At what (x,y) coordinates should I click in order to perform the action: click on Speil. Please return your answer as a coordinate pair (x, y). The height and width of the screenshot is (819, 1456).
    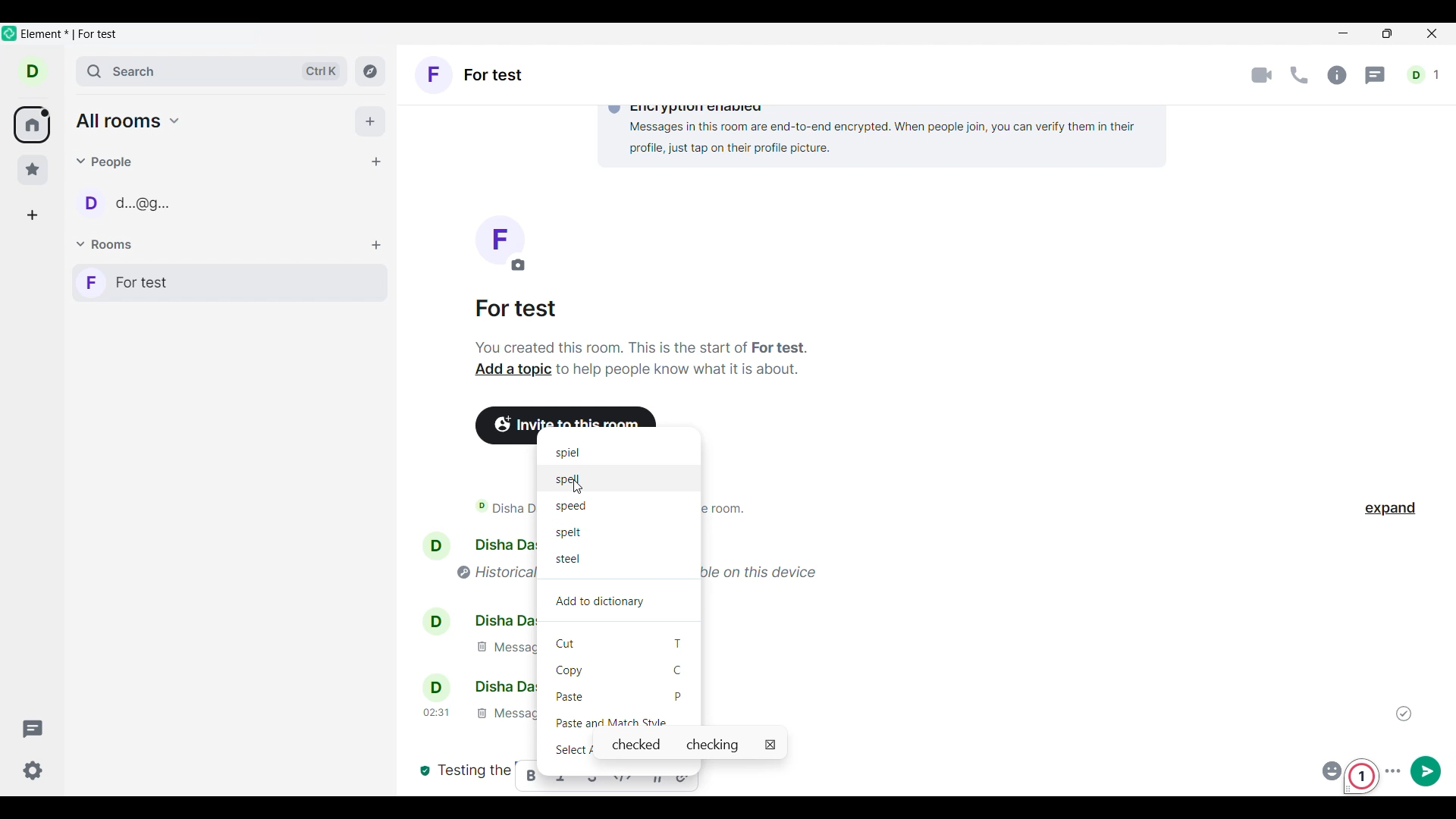
    Looking at the image, I should click on (568, 453).